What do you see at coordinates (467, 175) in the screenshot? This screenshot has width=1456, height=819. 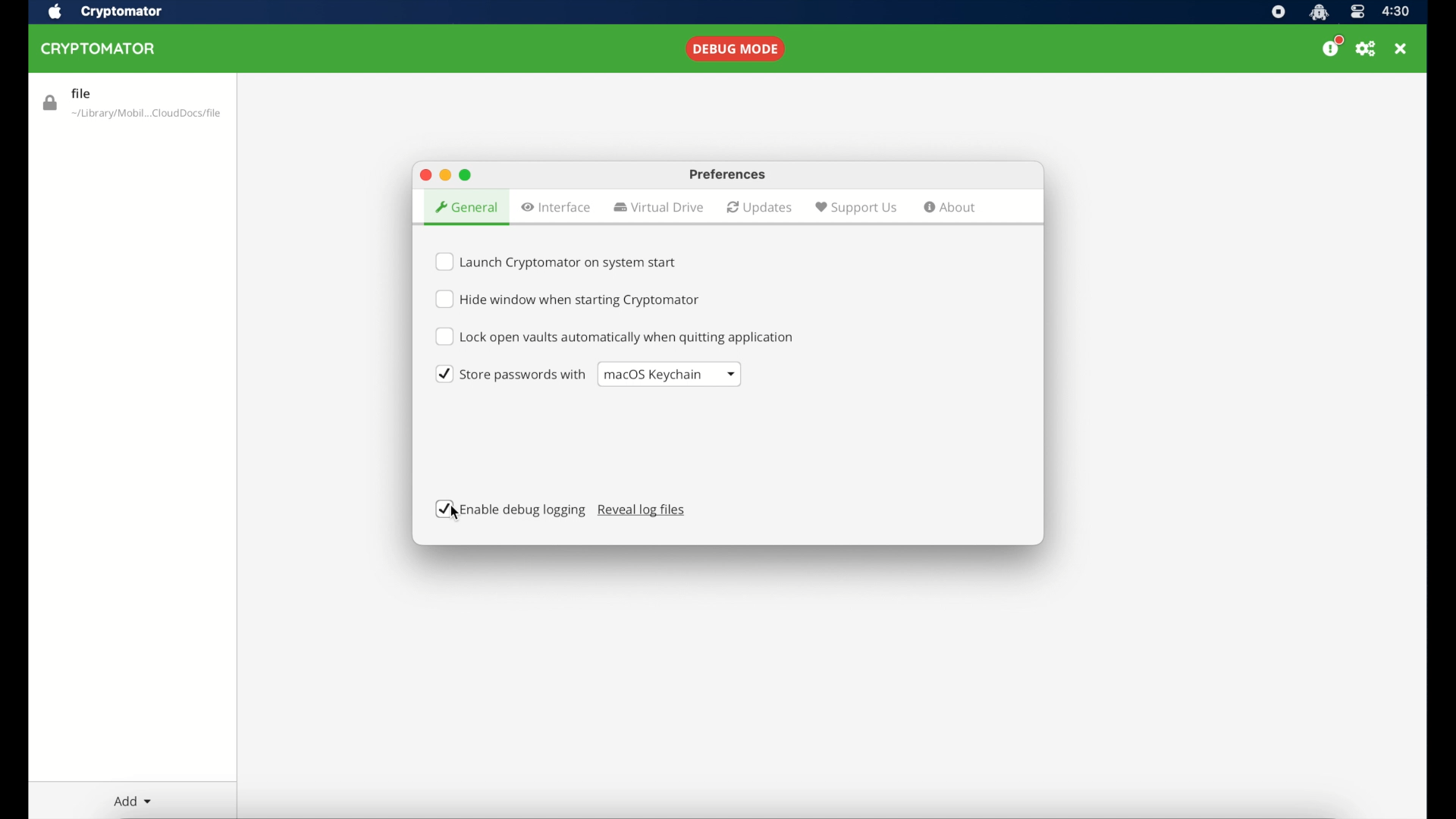 I see `maximize` at bounding box center [467, 175].